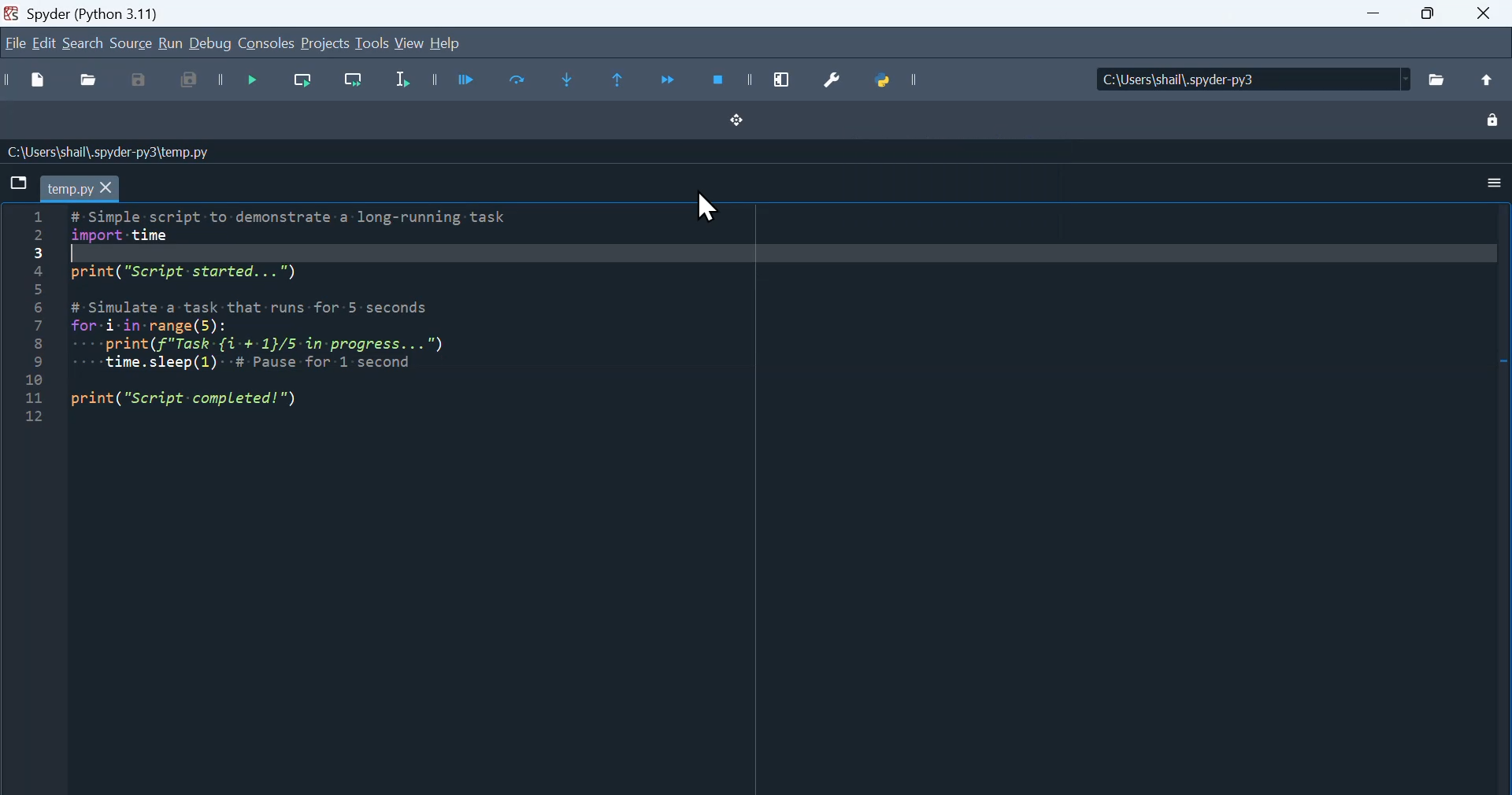 This screenshot has height=795, width=1512. Describe the element at coordinates (463, 80) in the screenshot. I see `Run file` at that location.